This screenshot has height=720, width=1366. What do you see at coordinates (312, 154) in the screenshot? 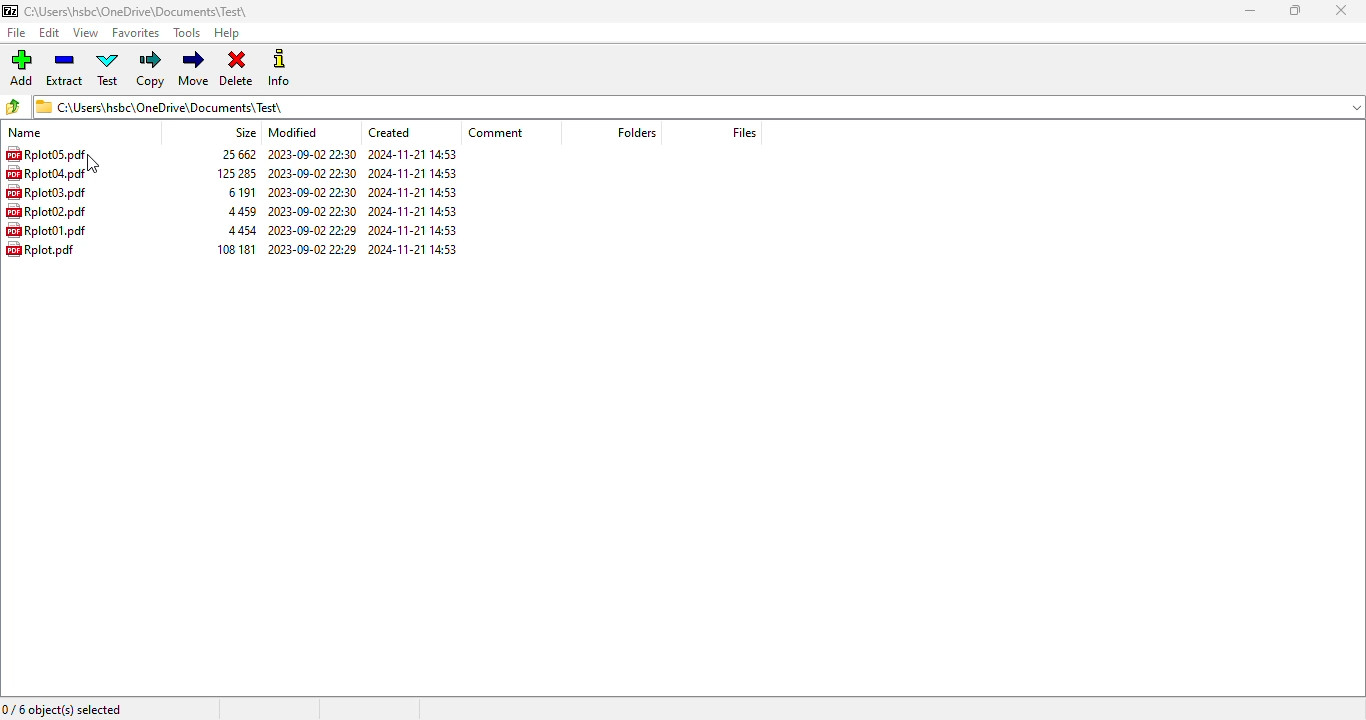
I see `modified date and time` at bounding box center [312, 154].